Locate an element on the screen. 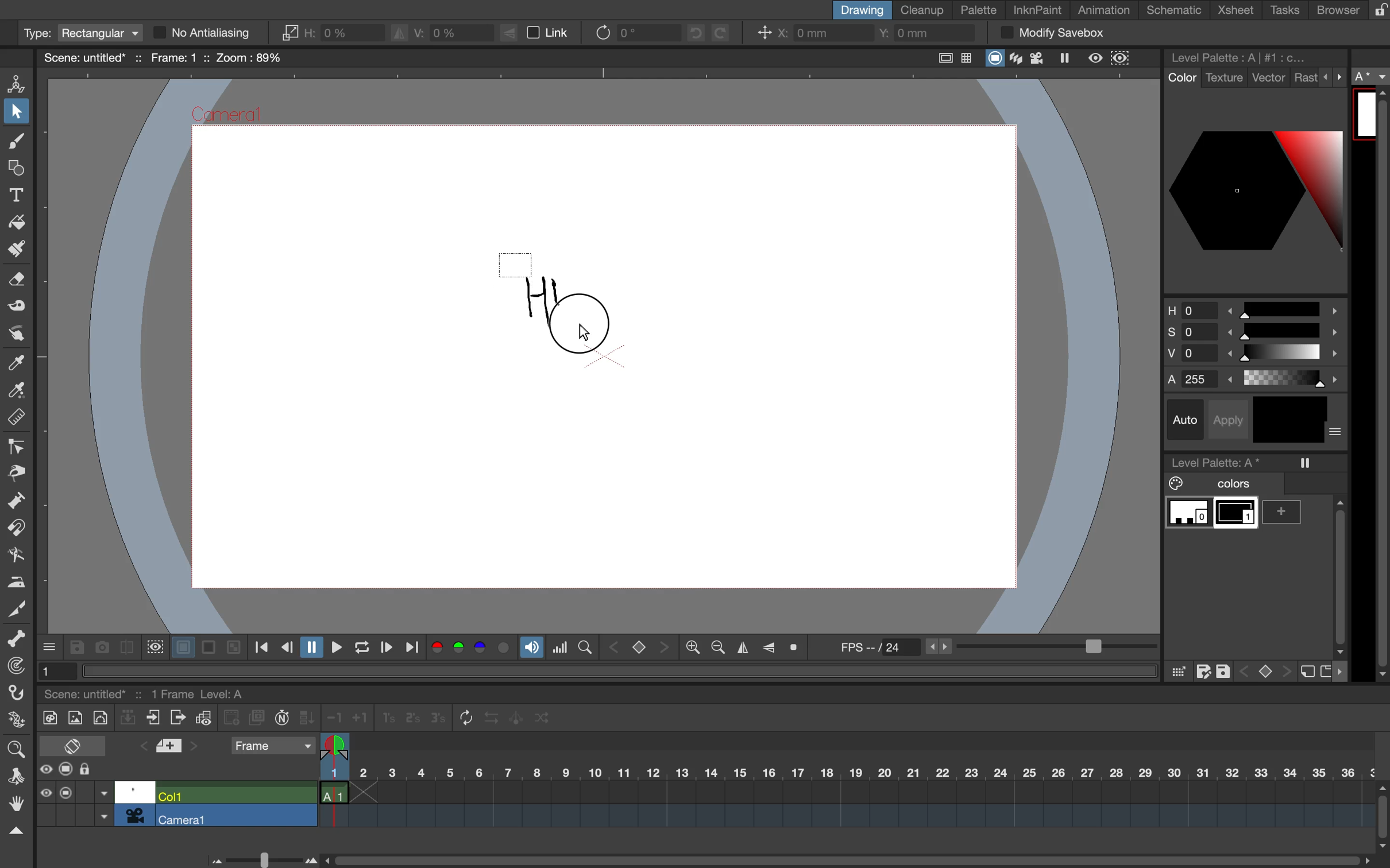 Image resolution: width=1390 pixels, height=868 pixels. redo is located at coordinates (729, 33).